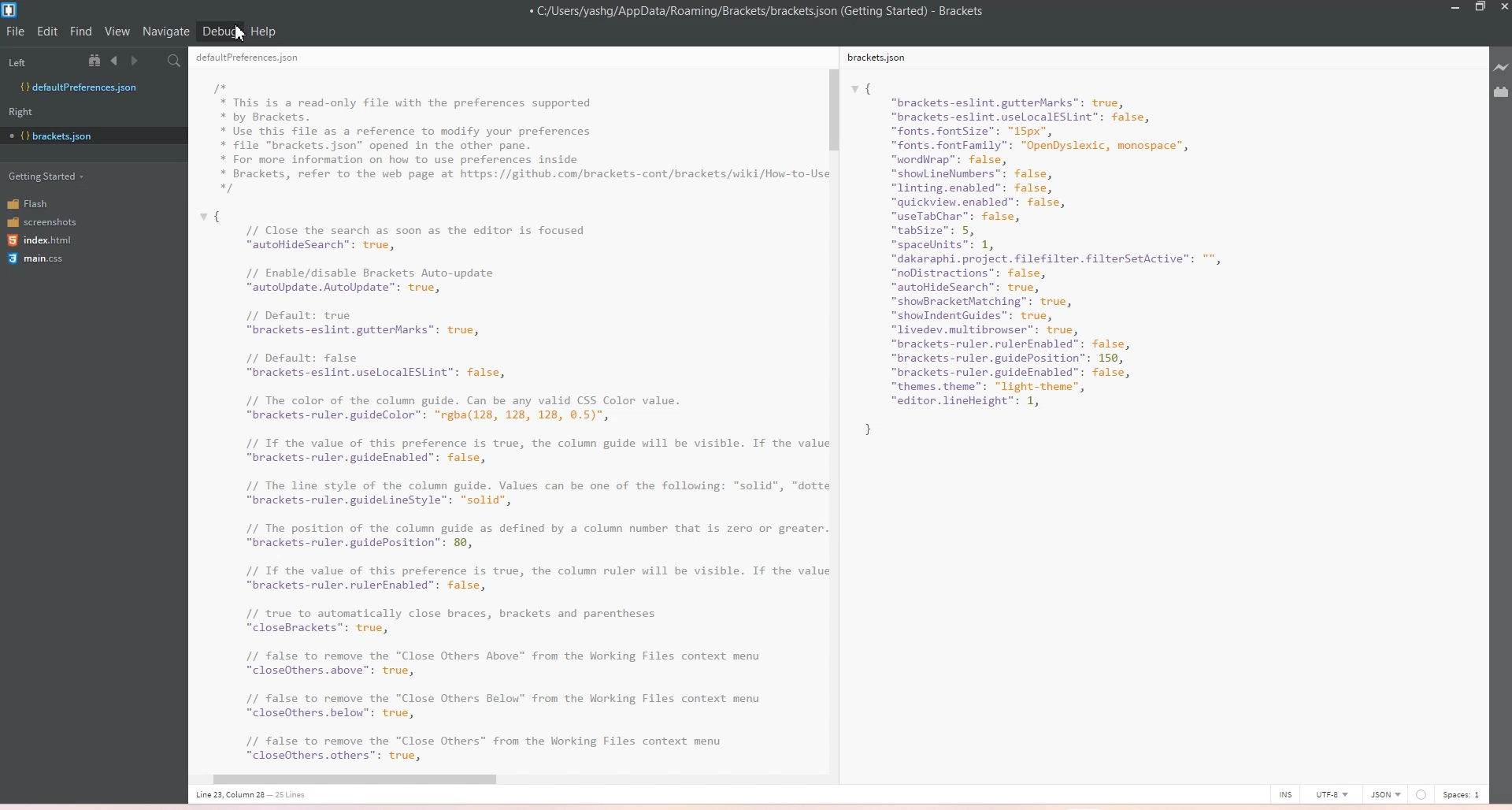 The height and width of the screenshot is (810, 1512). Describe the element at coordinates (499, 780) in the screenshot. I see `Horizontal scroll bar` at that location.